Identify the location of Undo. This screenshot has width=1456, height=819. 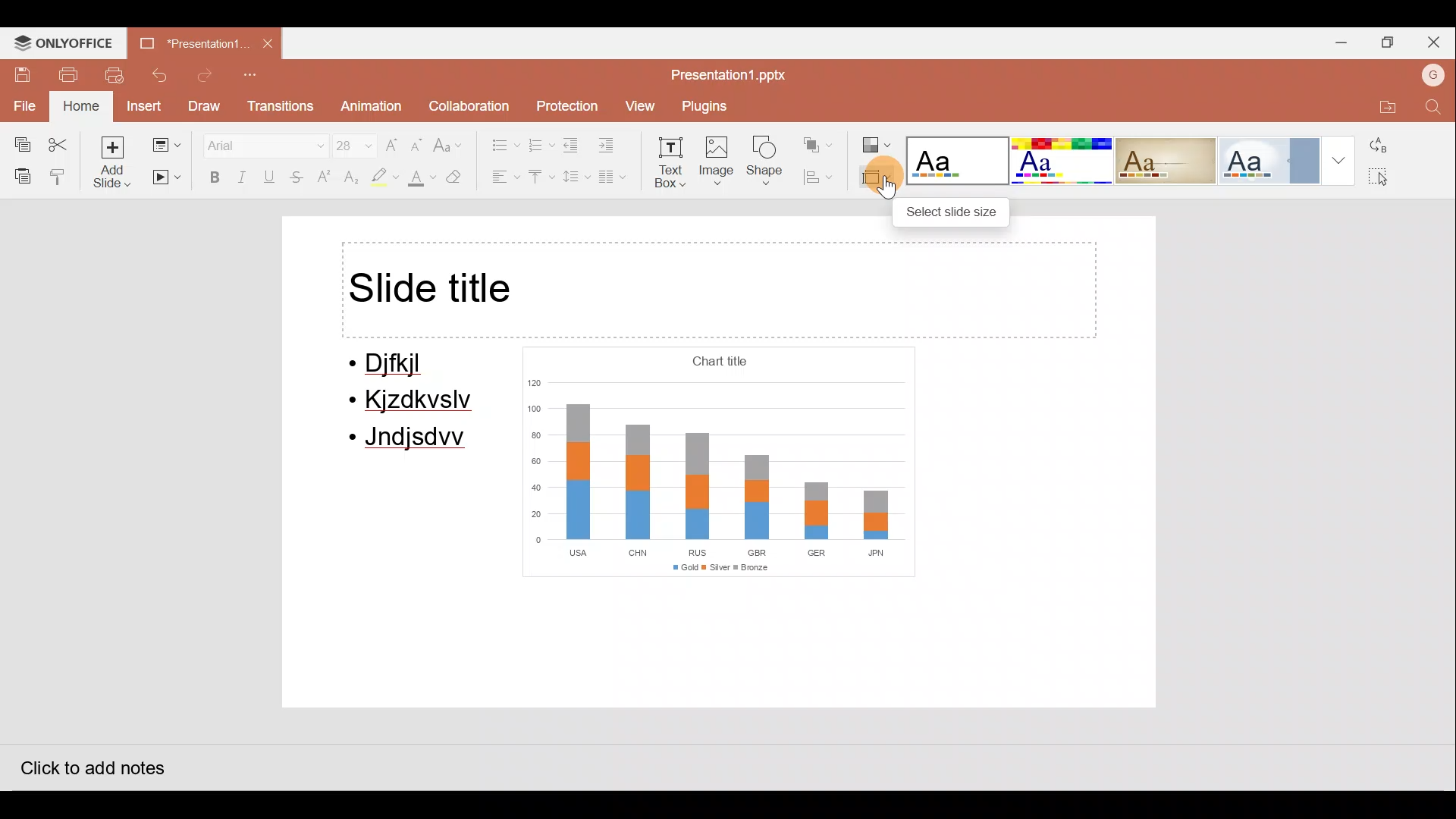
(162, 75).